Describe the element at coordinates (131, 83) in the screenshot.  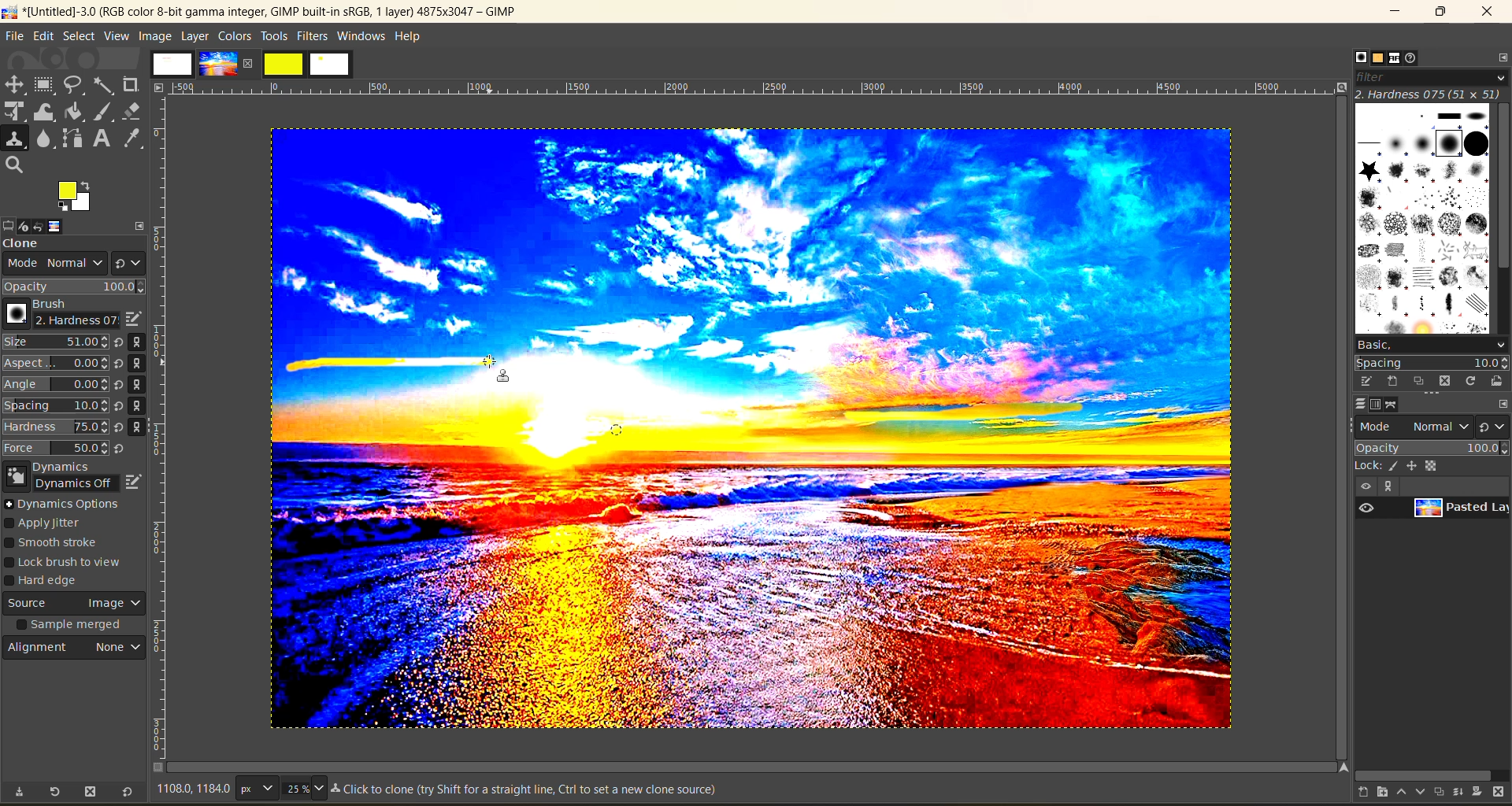
I see `crope tool` at that location.